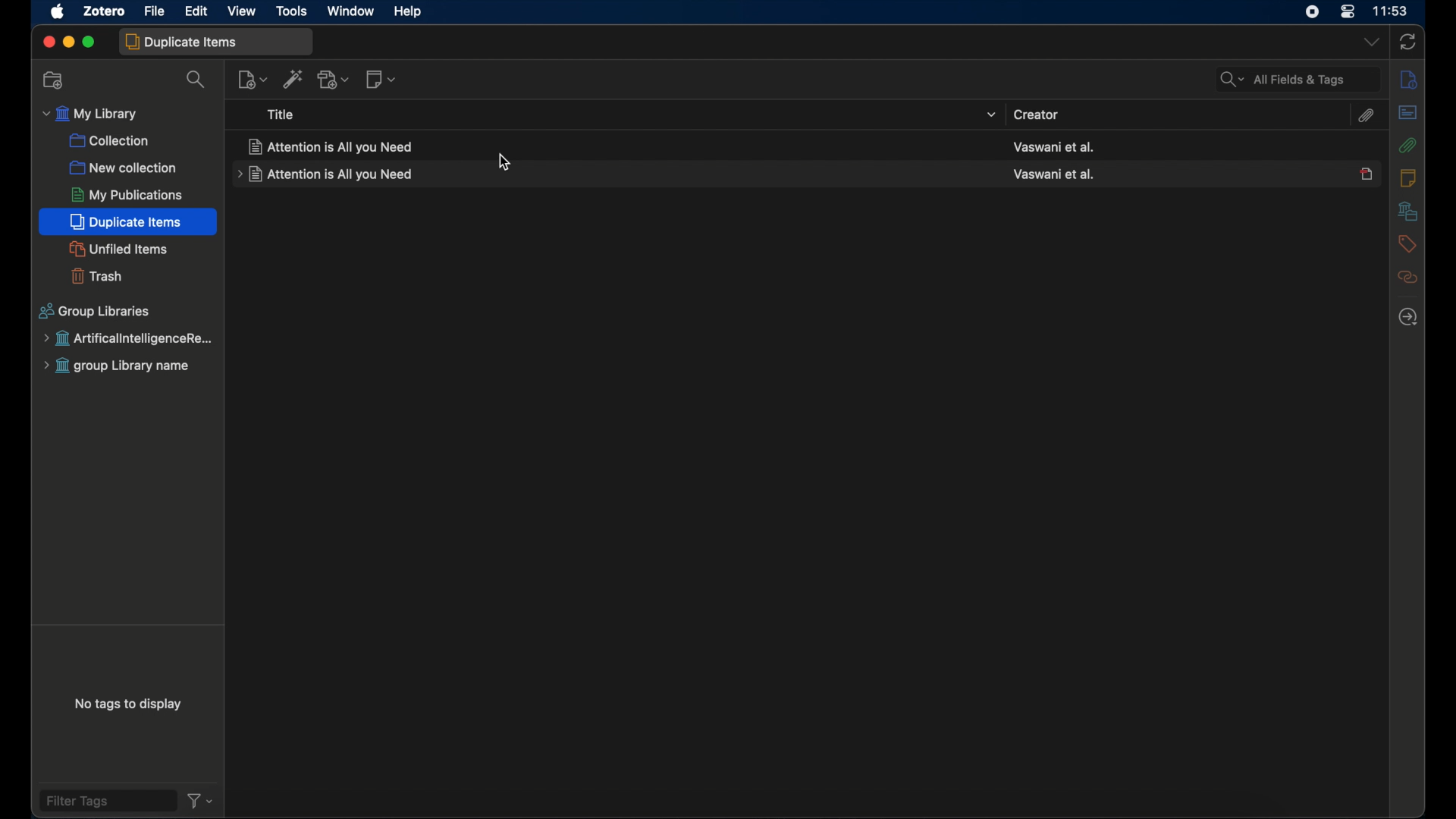  Describe the element at coordinates (1408, 318) in the screenshot. I see `locate` at that location.